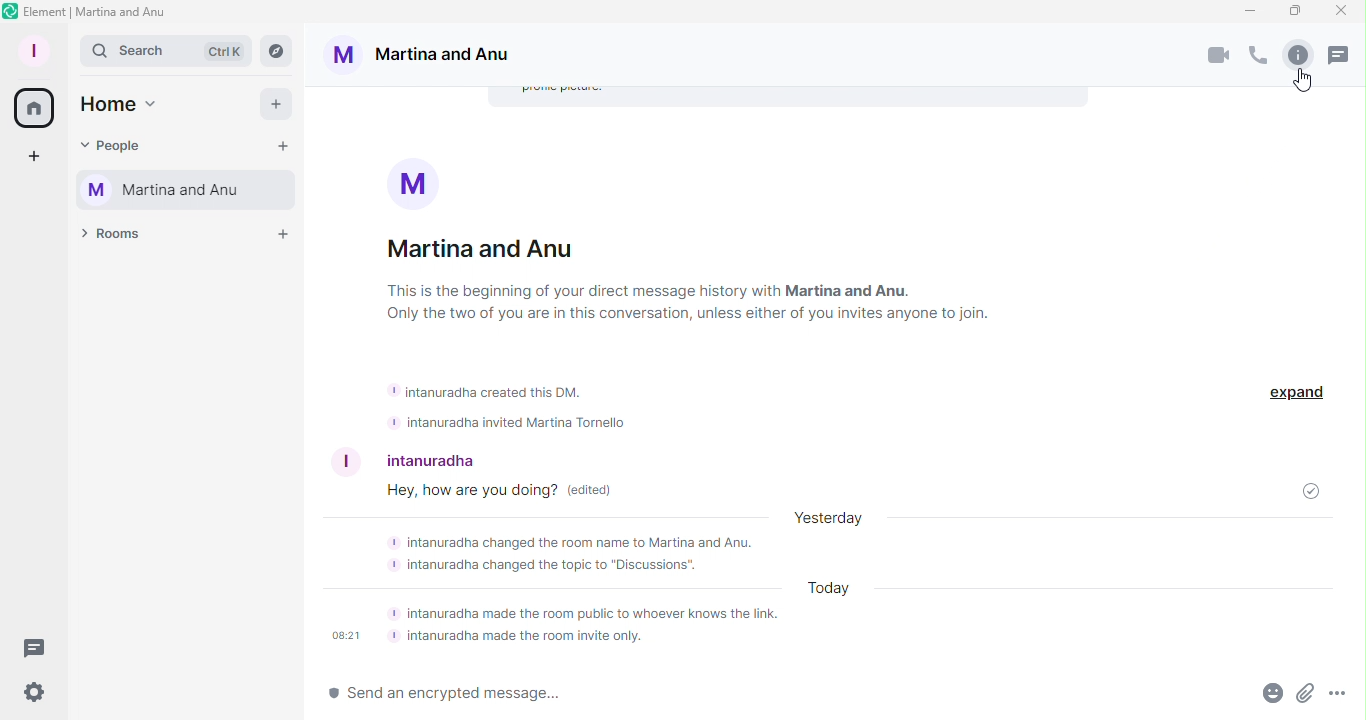 This screenshot has width=1366, height=720. What do you see at coordinates (688, 255) in the screenshot?
I see `Room info` at bounding box center [688, 255].